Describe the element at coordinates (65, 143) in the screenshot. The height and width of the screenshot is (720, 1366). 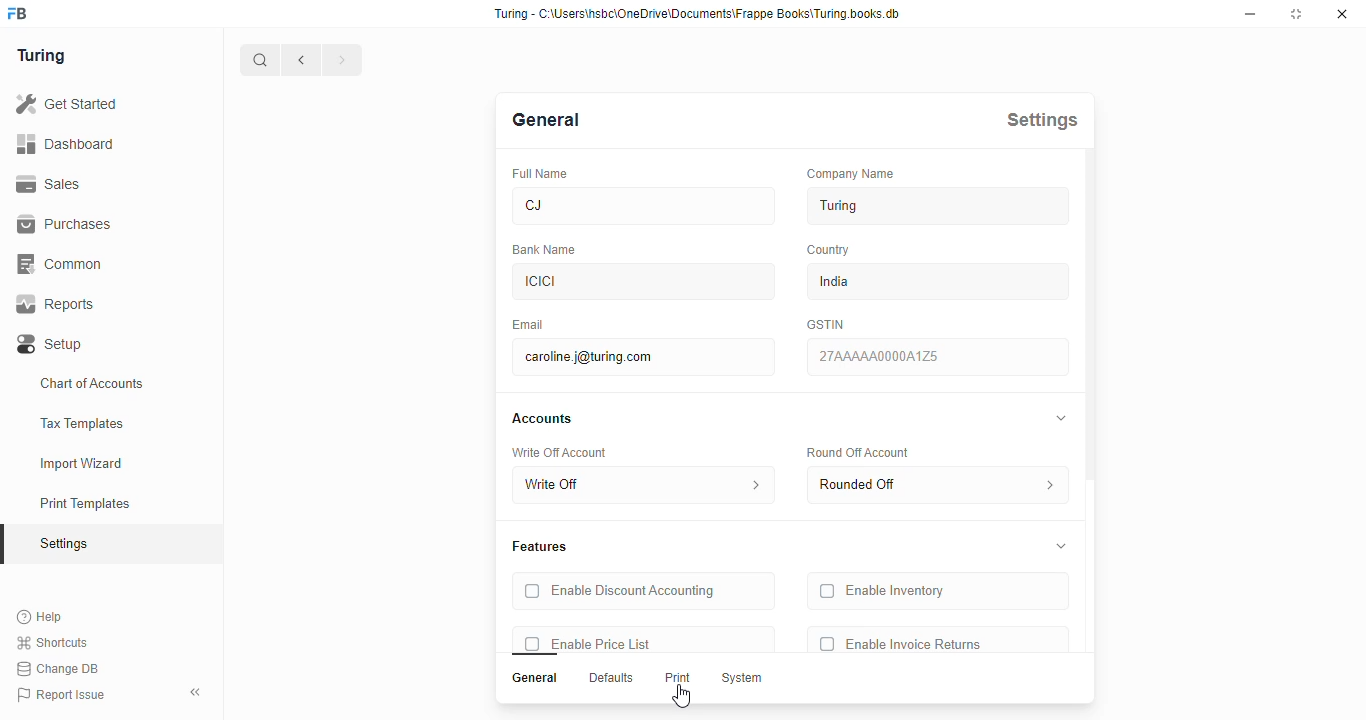
I see `dashboard` at that location.